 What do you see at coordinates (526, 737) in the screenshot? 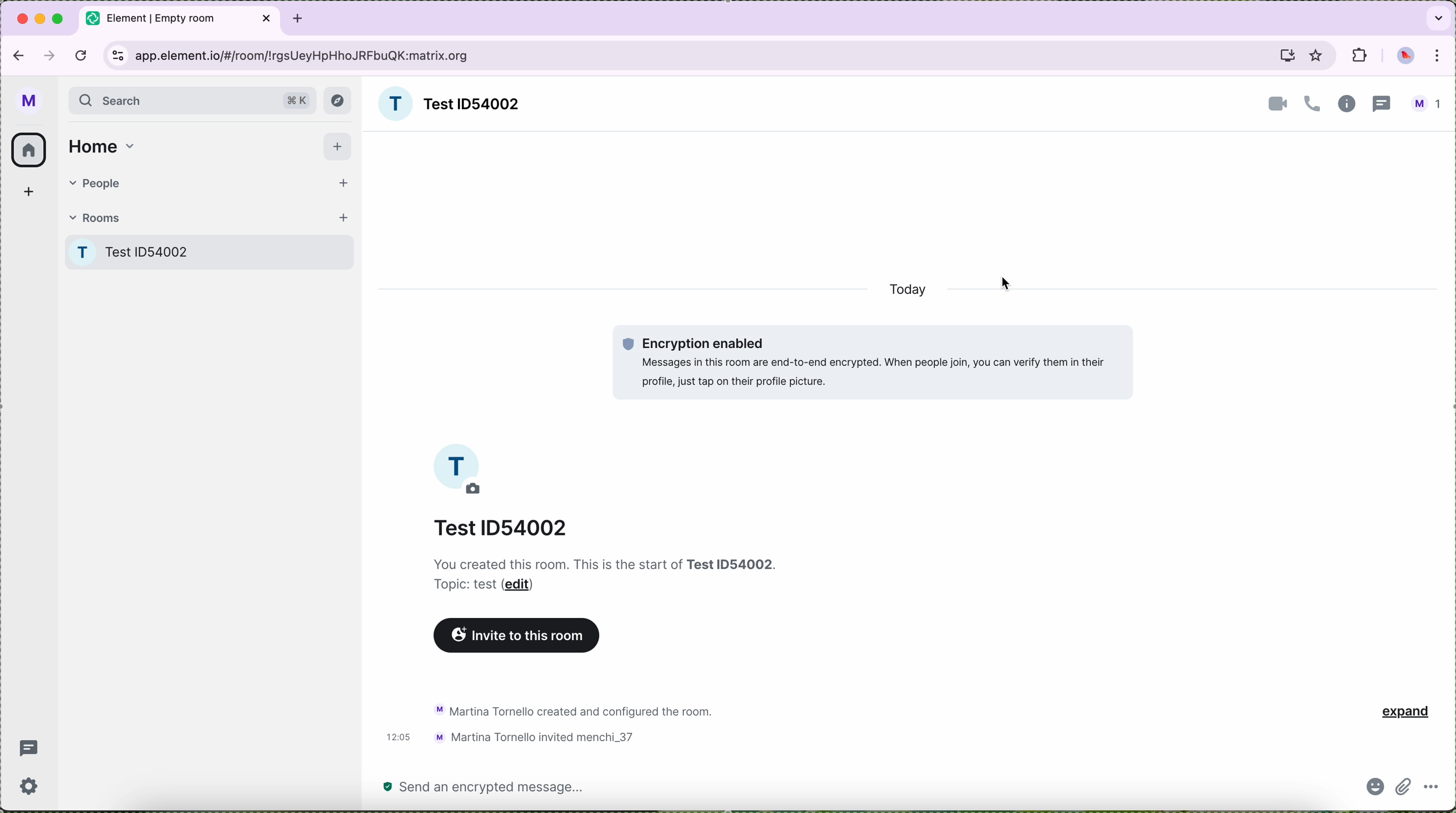
I see `new activity of the room` at bounding box center [526, 737].